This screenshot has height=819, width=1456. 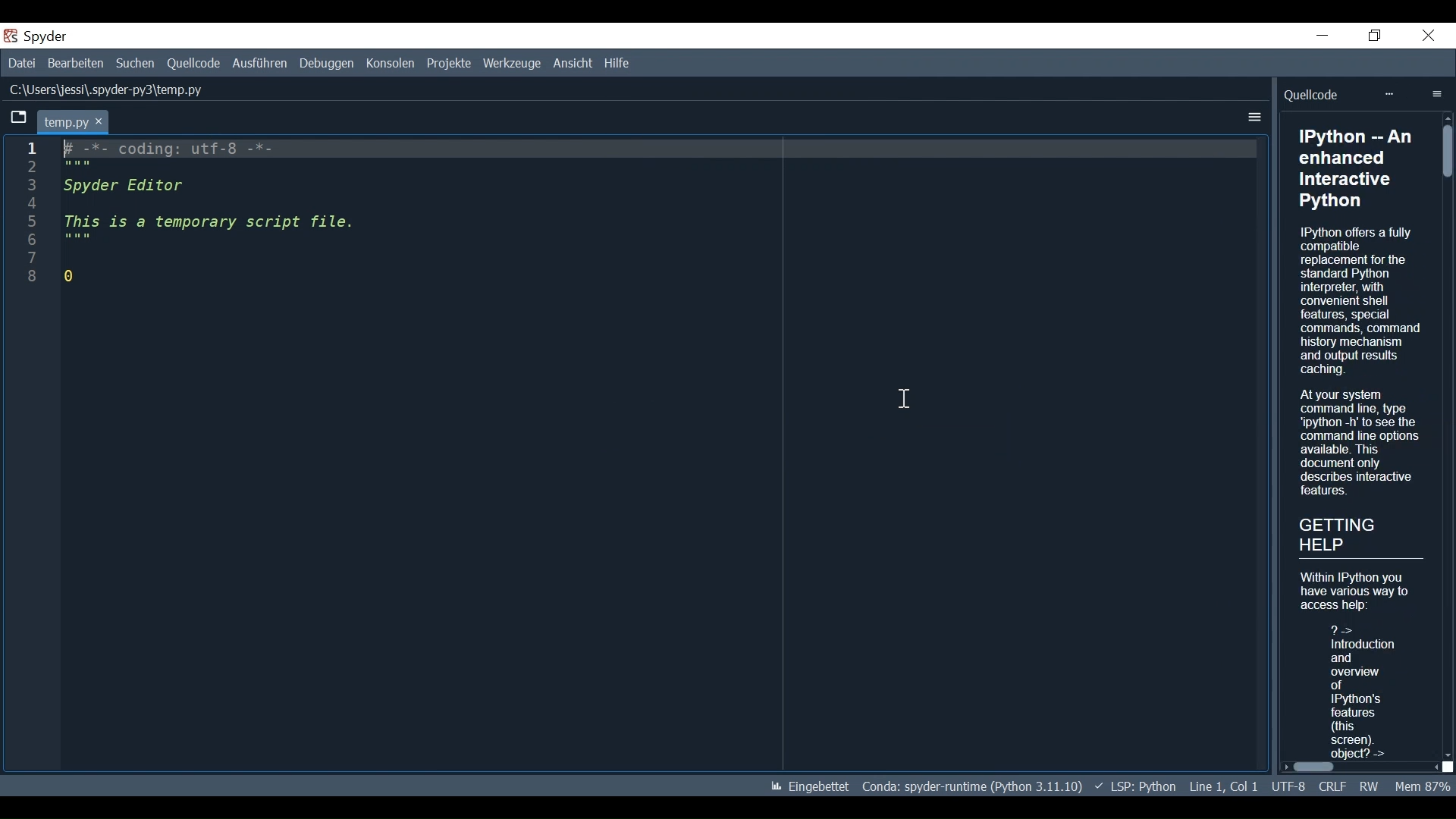 What do you see at coordinates (78, 36) in the screenshot?
I see `spyder app name` at bounding box center [78, 36].